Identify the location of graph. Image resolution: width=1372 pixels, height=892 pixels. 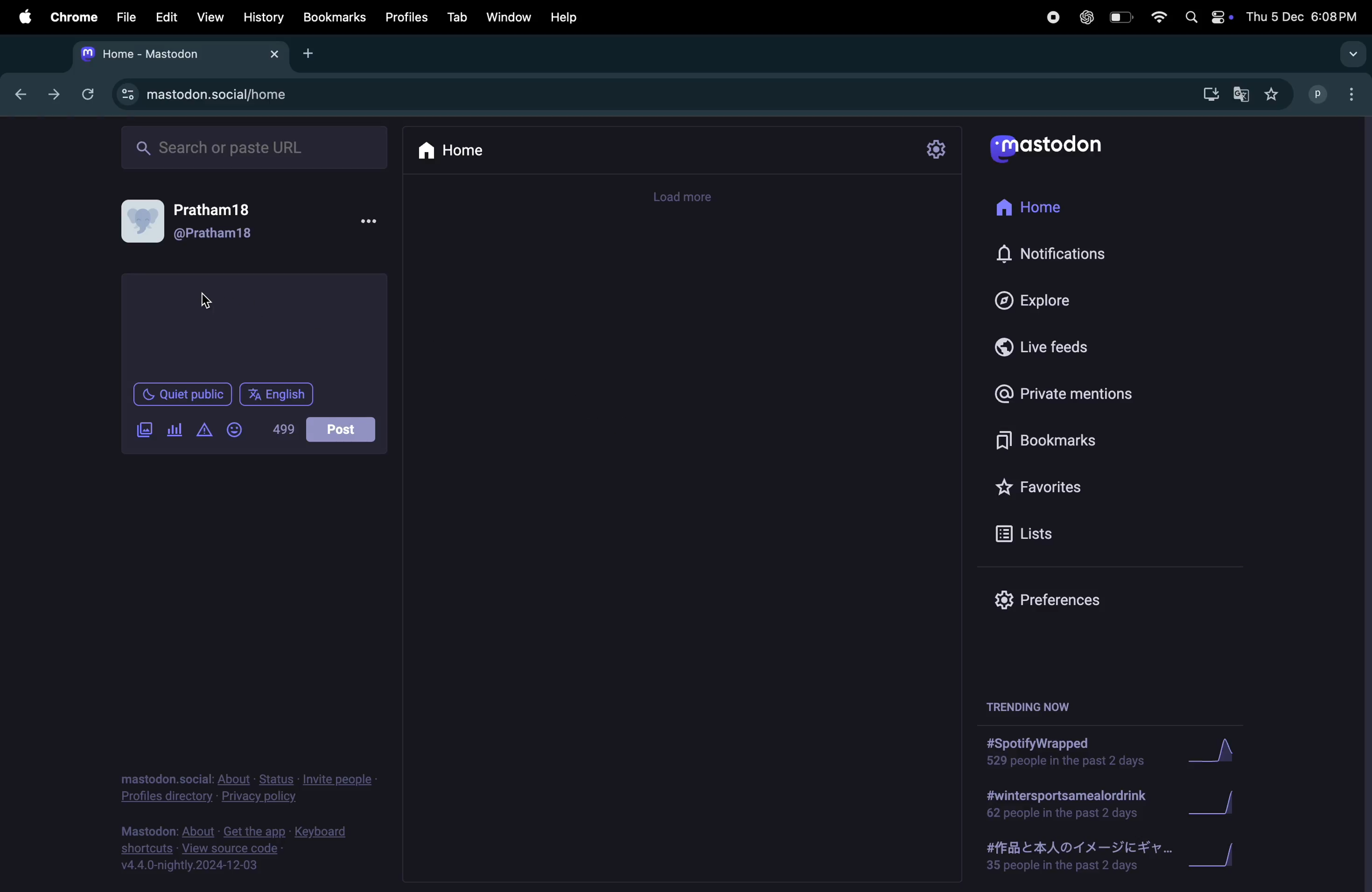
(1215, 805).